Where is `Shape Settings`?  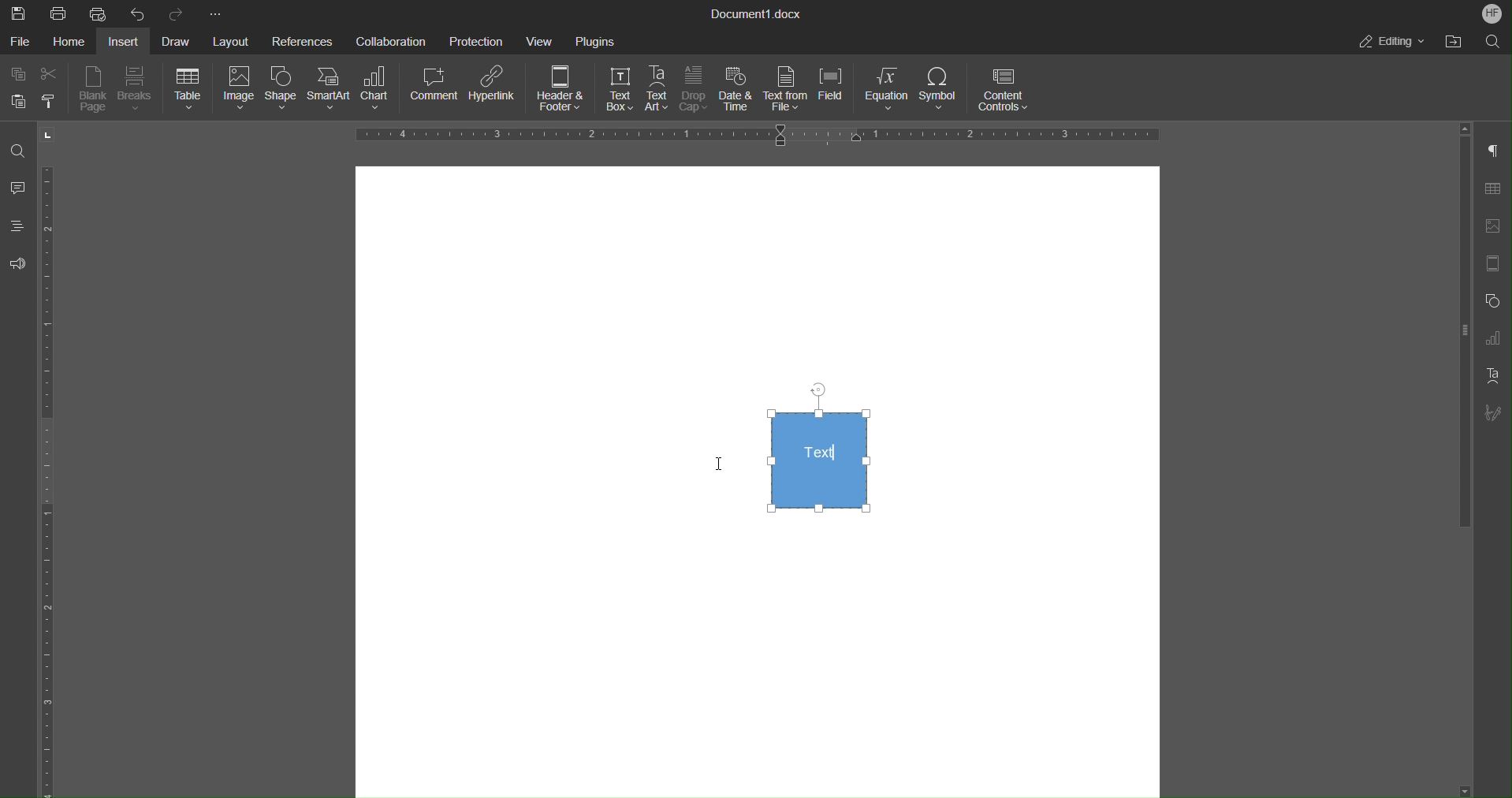 Shape Settings is located at coordinates (1496, 300).